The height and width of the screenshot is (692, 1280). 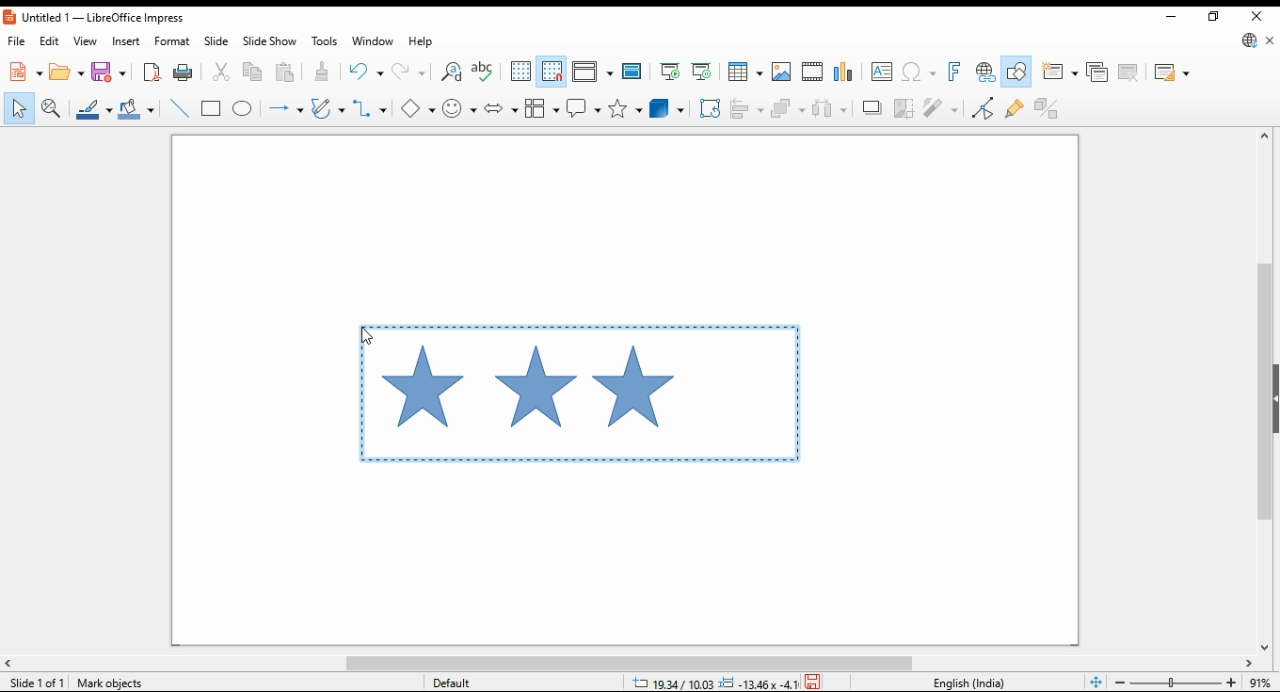 I want to click on align objects, so click(x=748, y=109).